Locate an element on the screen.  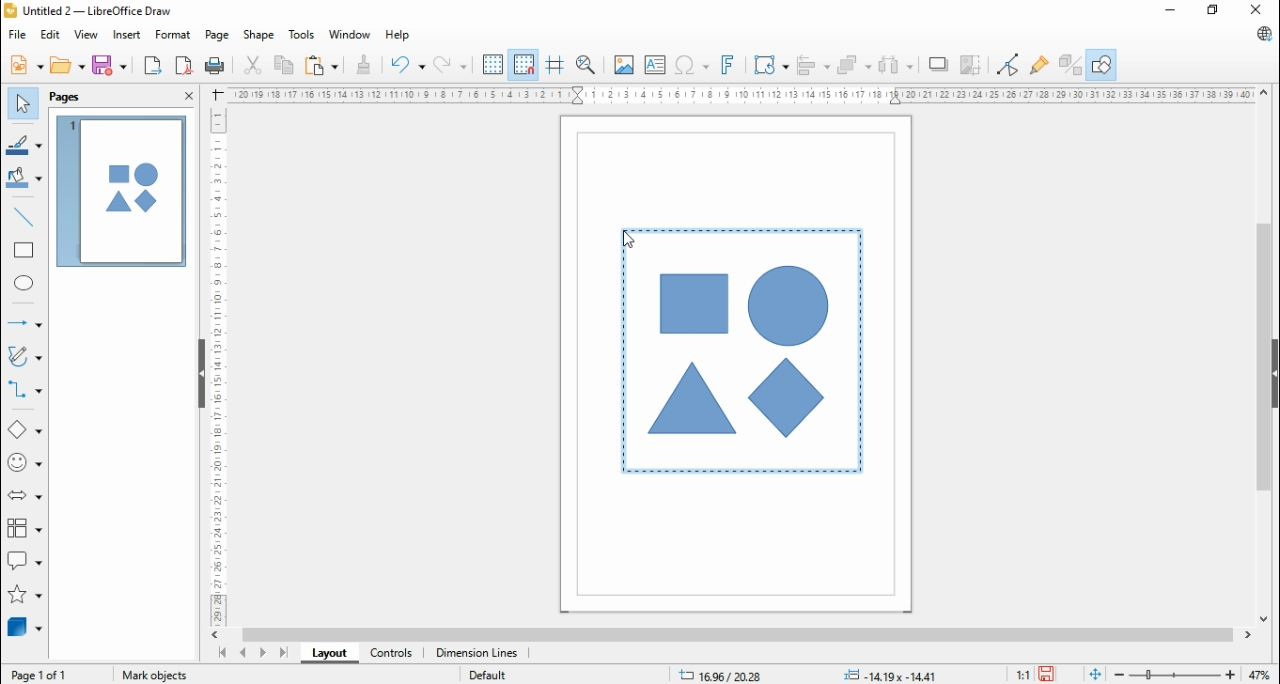
icon and file name is located at coordinates (90, 10).